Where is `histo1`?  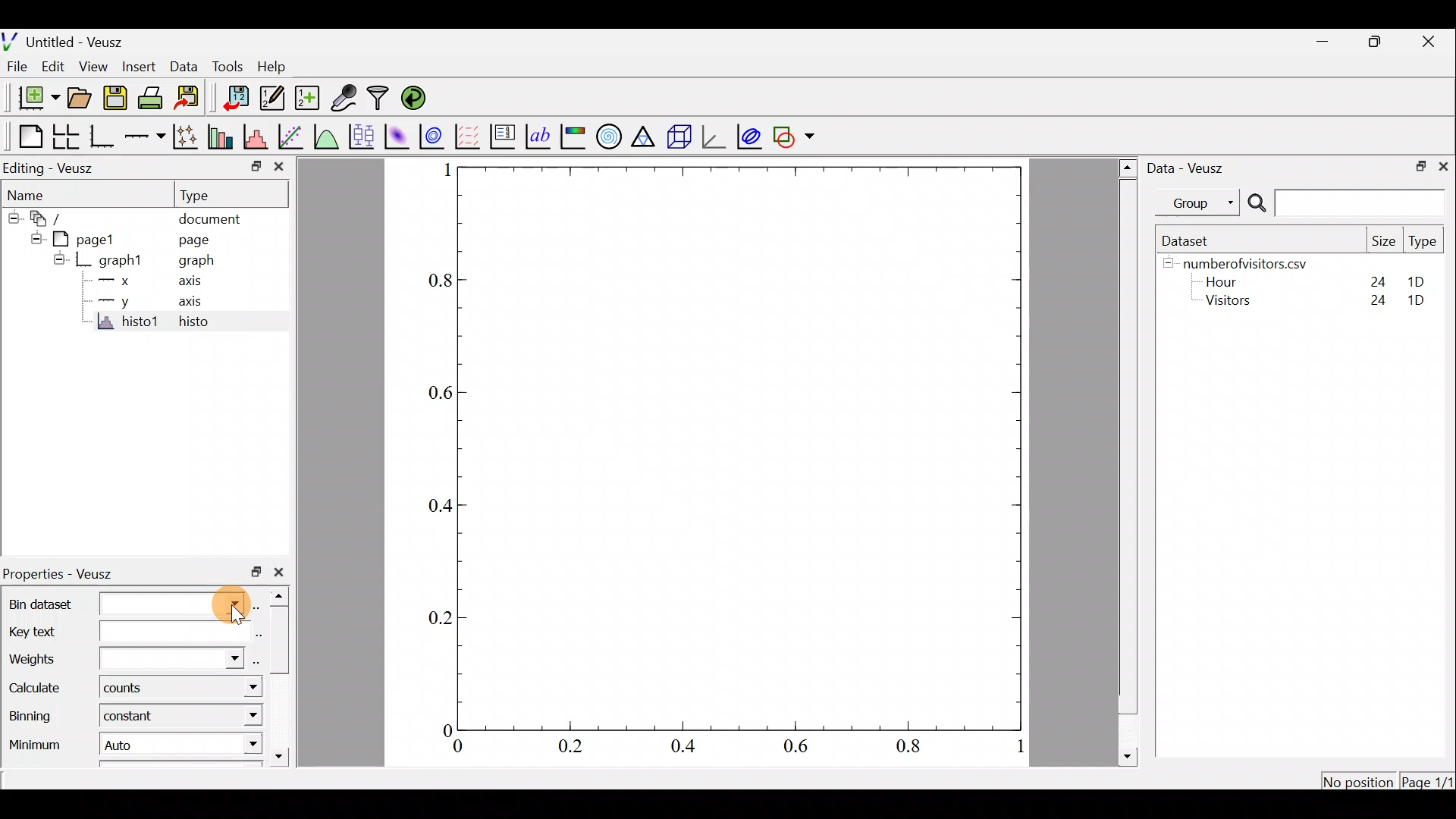
histo1 is located at coordinates (123, 324).